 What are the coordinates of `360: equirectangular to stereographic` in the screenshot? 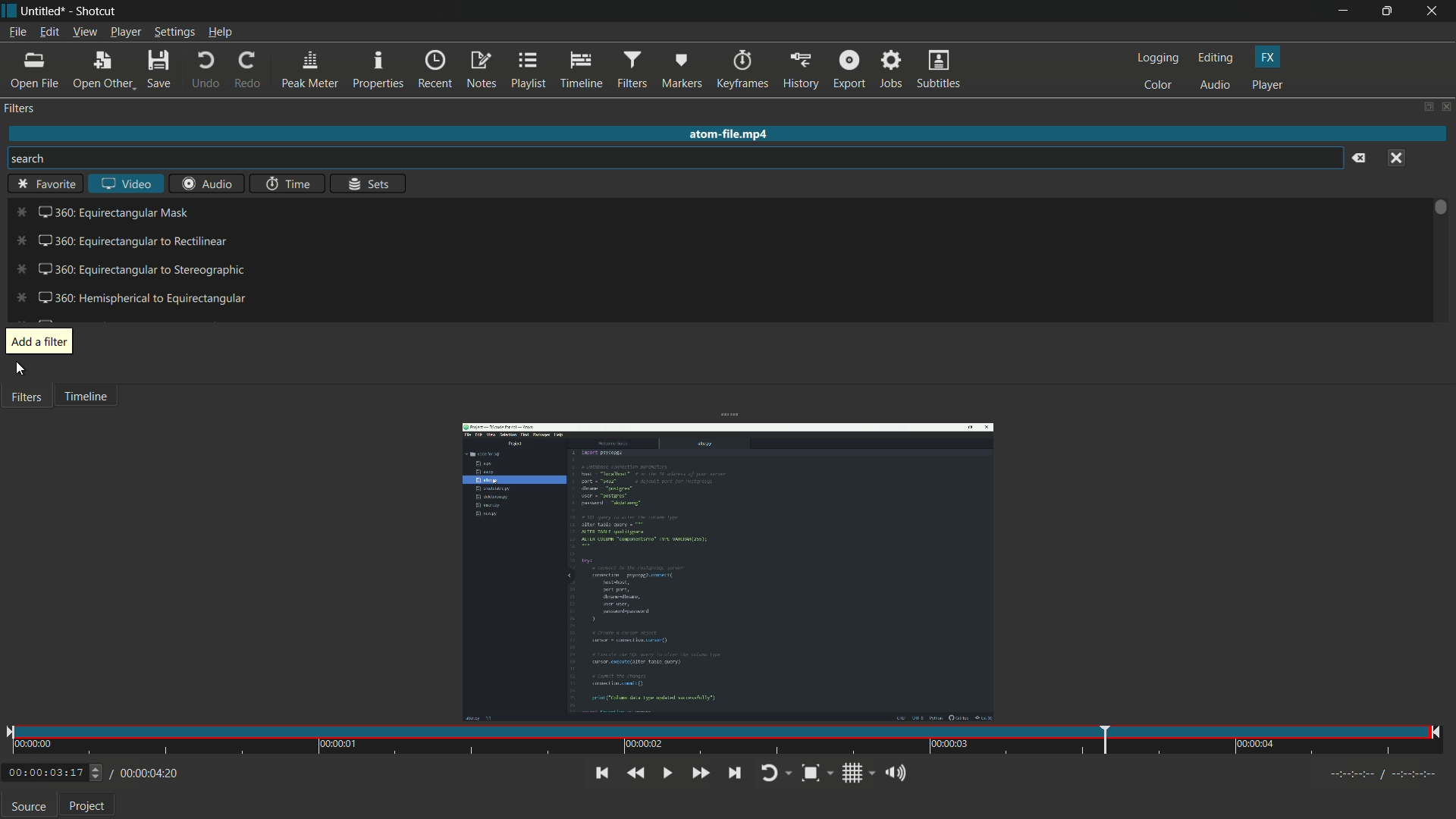 It's located at (131, 268).